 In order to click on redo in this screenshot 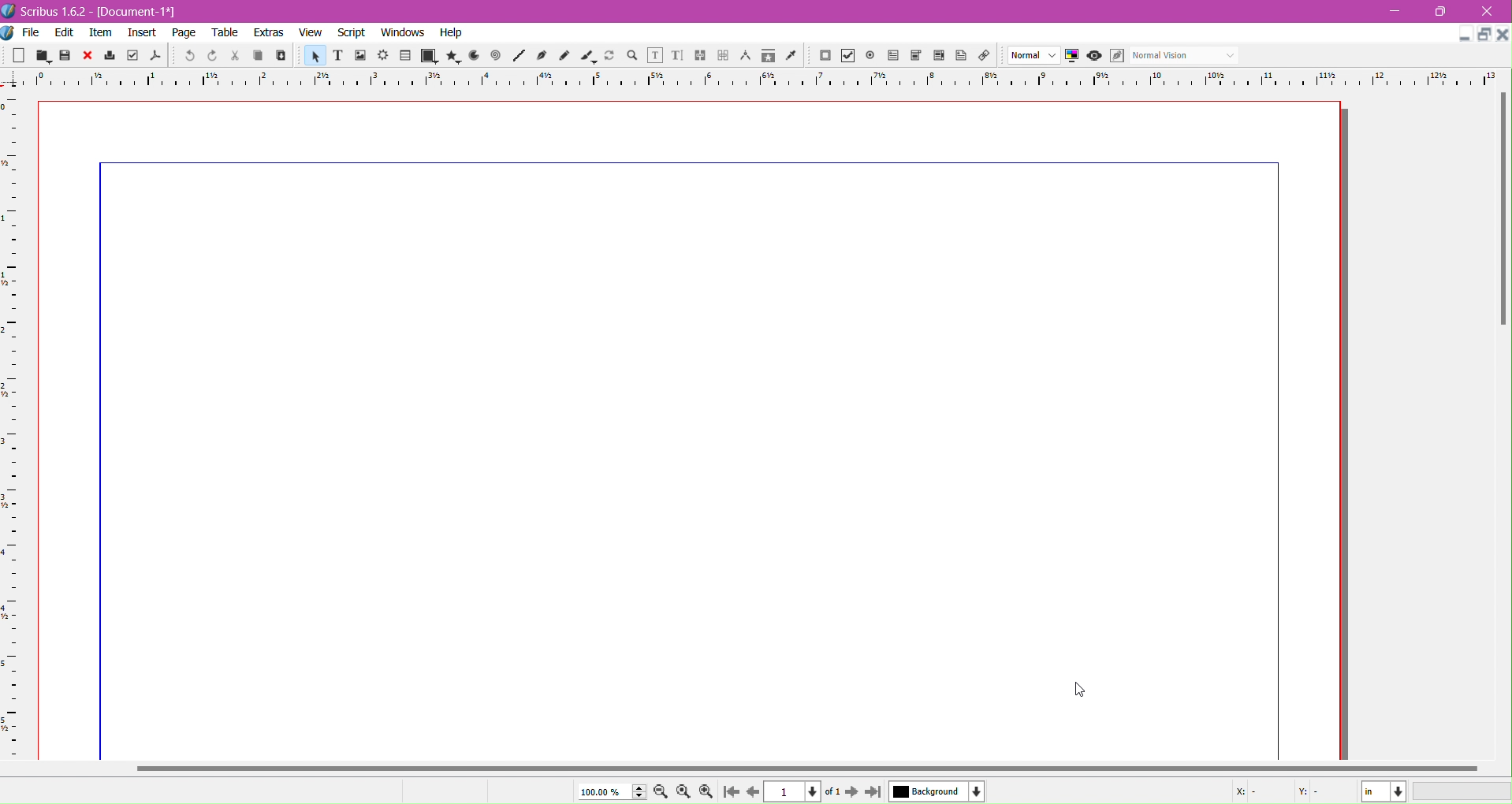, I will do `click(210, 56)`.